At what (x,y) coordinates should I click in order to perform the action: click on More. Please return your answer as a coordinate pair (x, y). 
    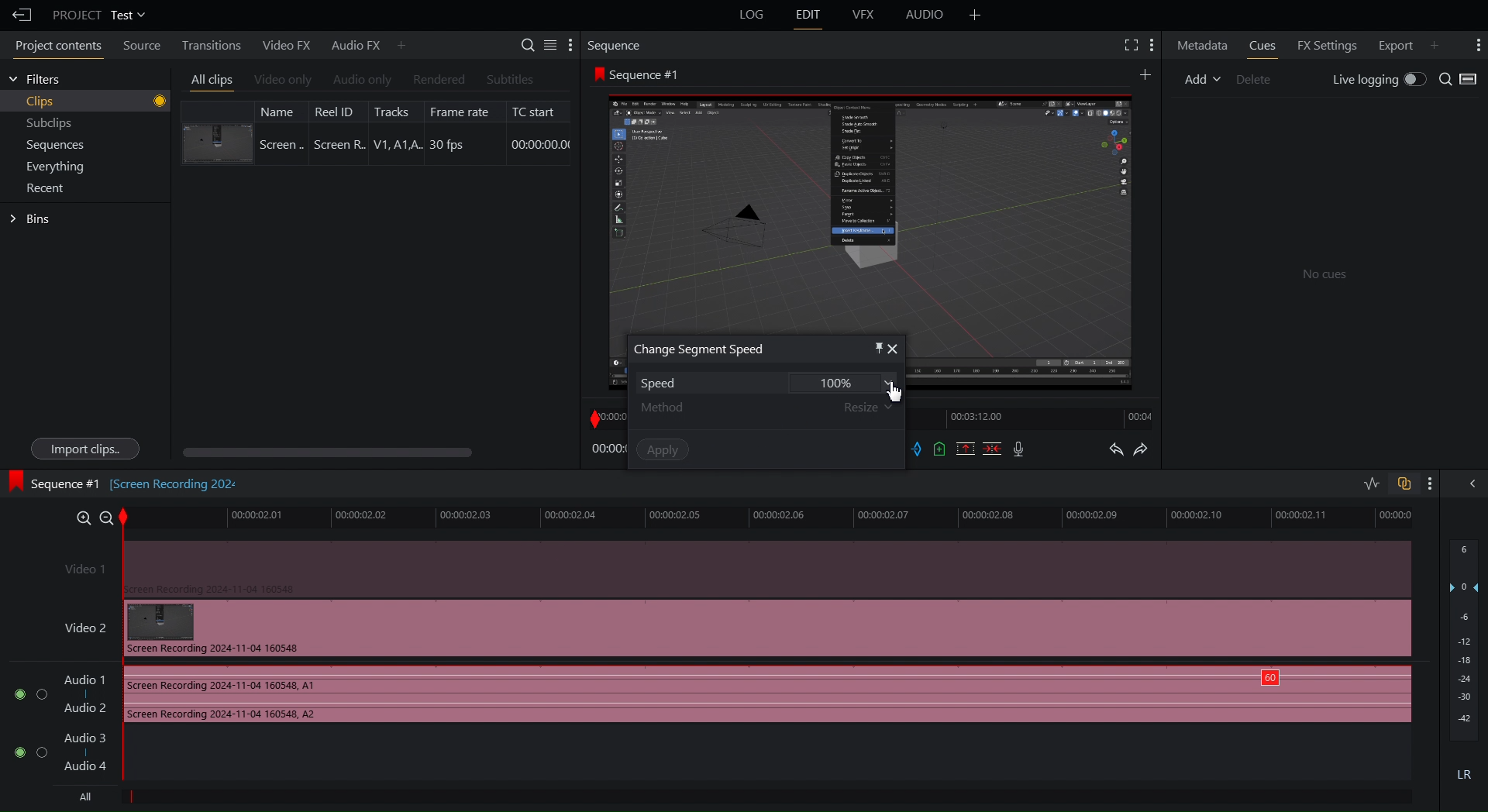
    Looking at the image, I should click on (975, 15).